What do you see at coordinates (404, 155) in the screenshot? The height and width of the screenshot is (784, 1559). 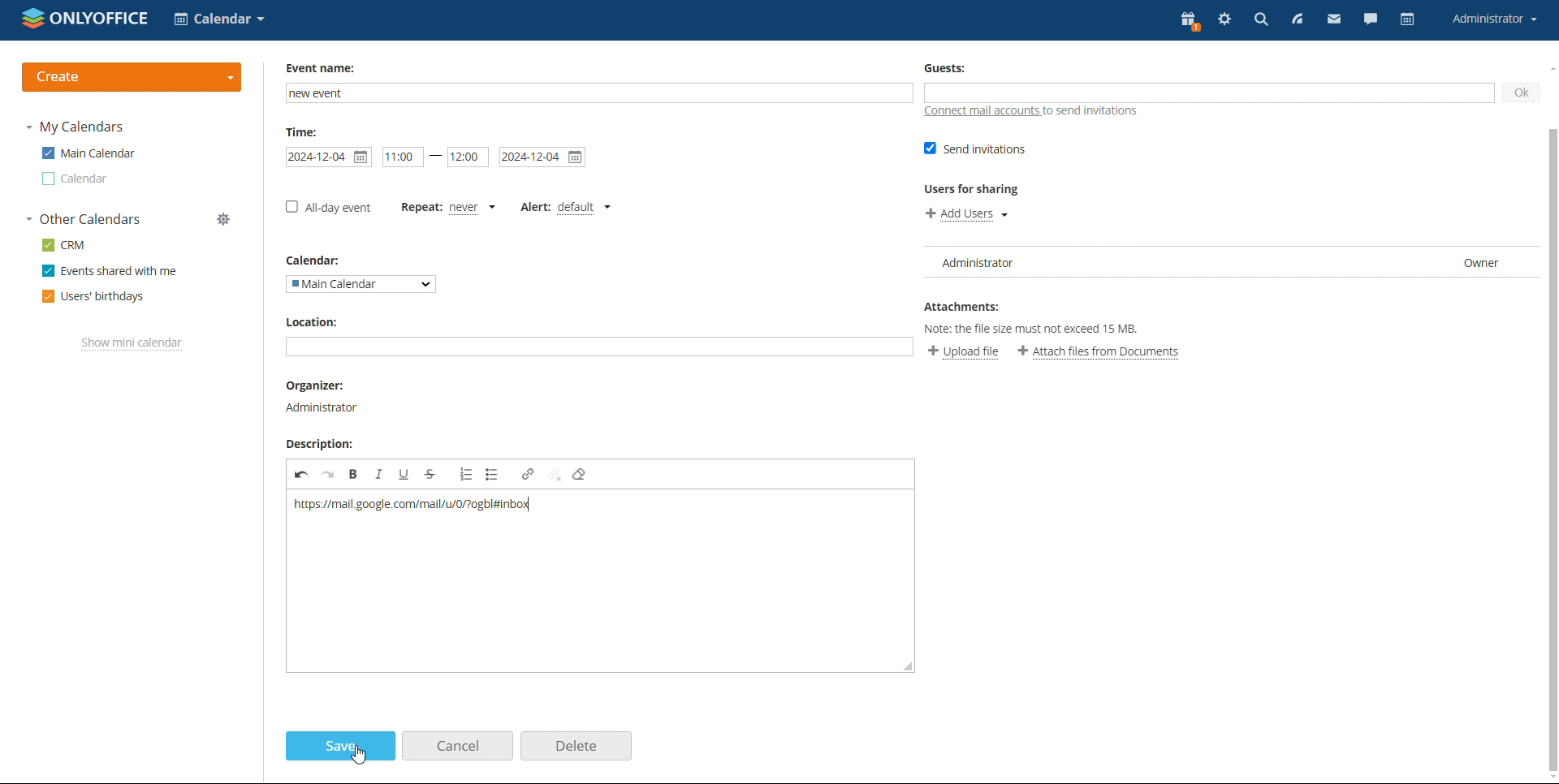 I see `start date` at bounding box center [404, 155].